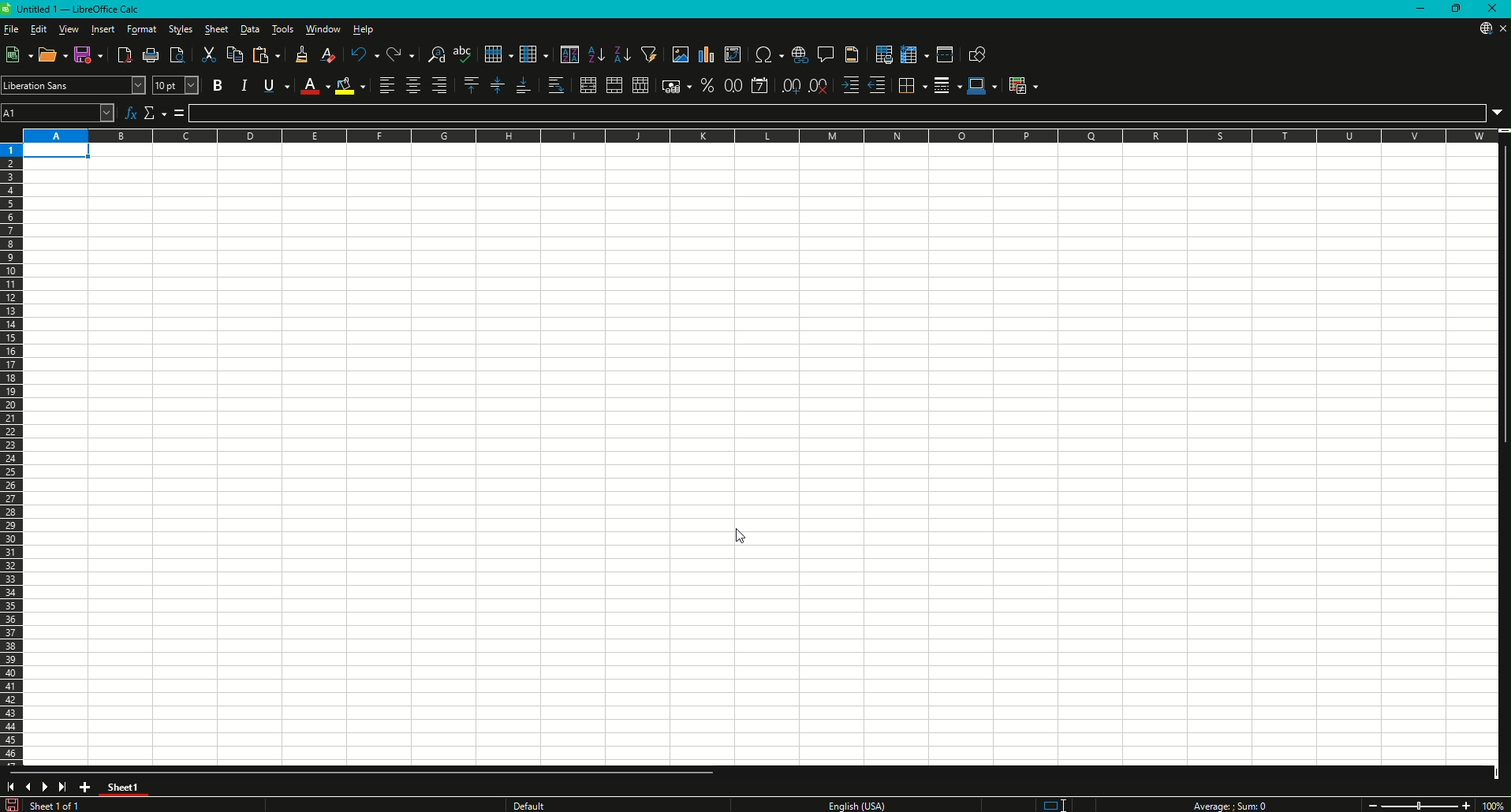  I want to click on Data, so click(249, 28).